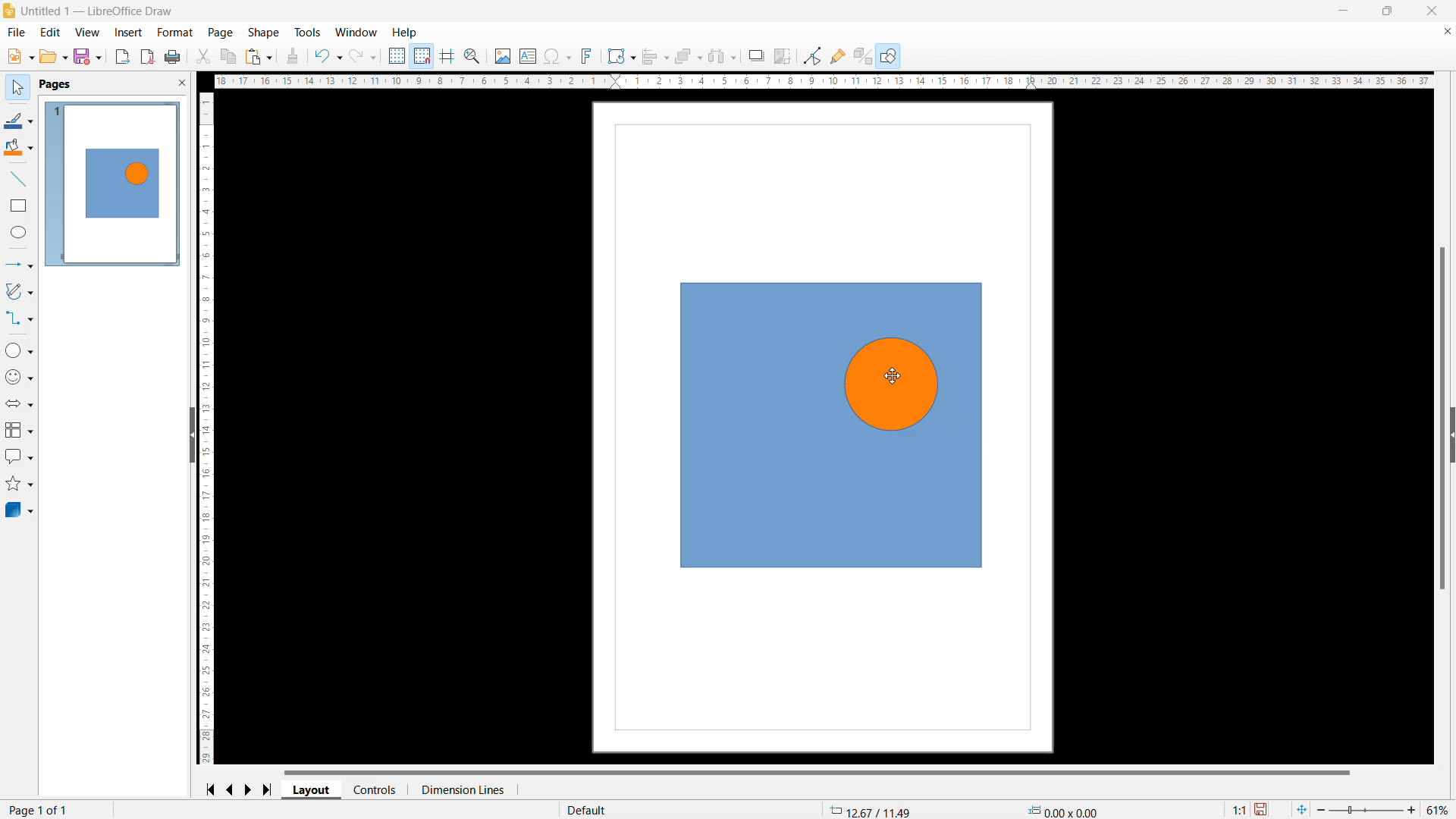  Describe the element at coordinates (422, 57) in the screenshot. I see `snap to grid` at that location.